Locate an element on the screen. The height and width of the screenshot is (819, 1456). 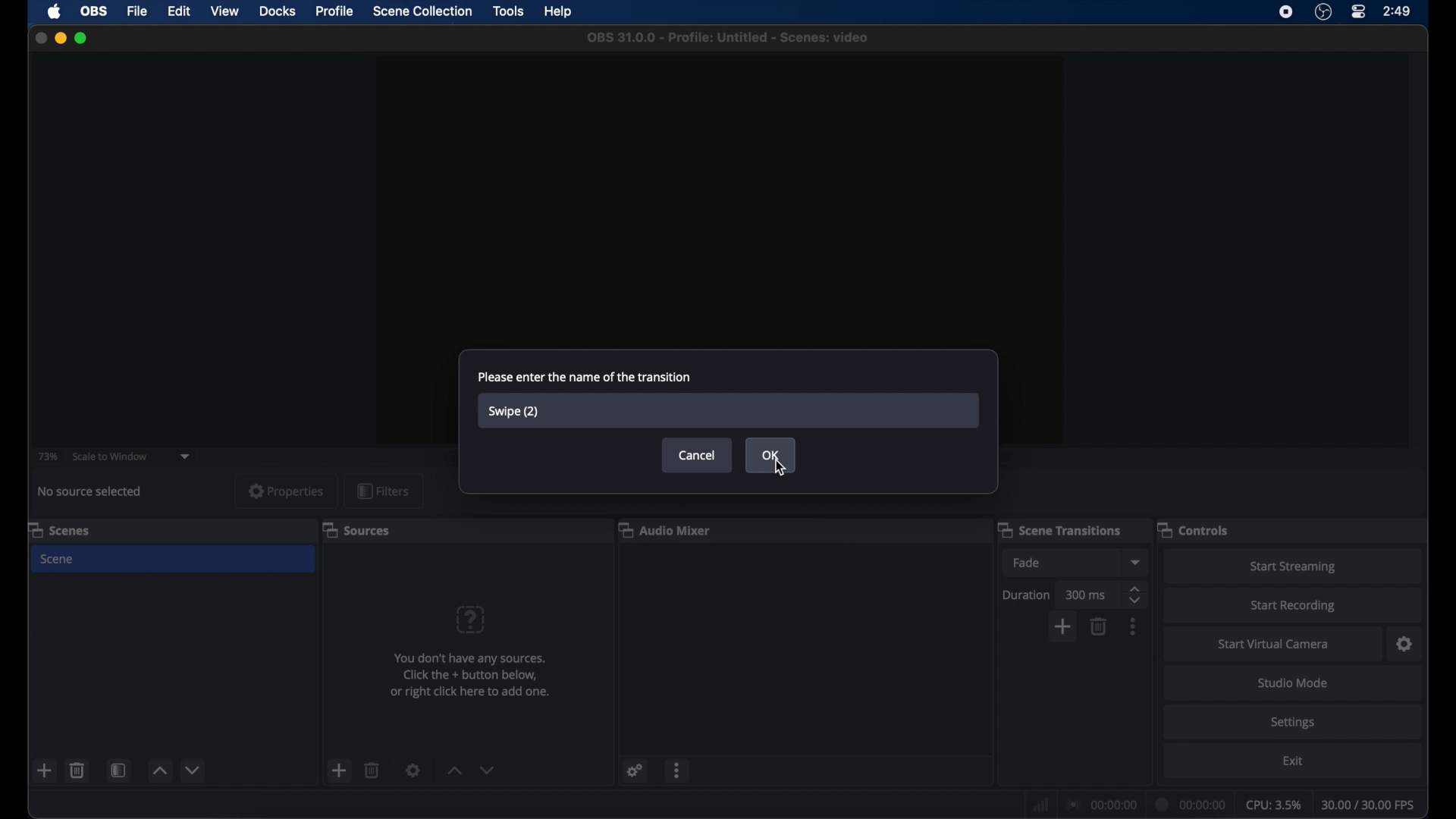
moreoptions is located at coordinates (1133, 626).